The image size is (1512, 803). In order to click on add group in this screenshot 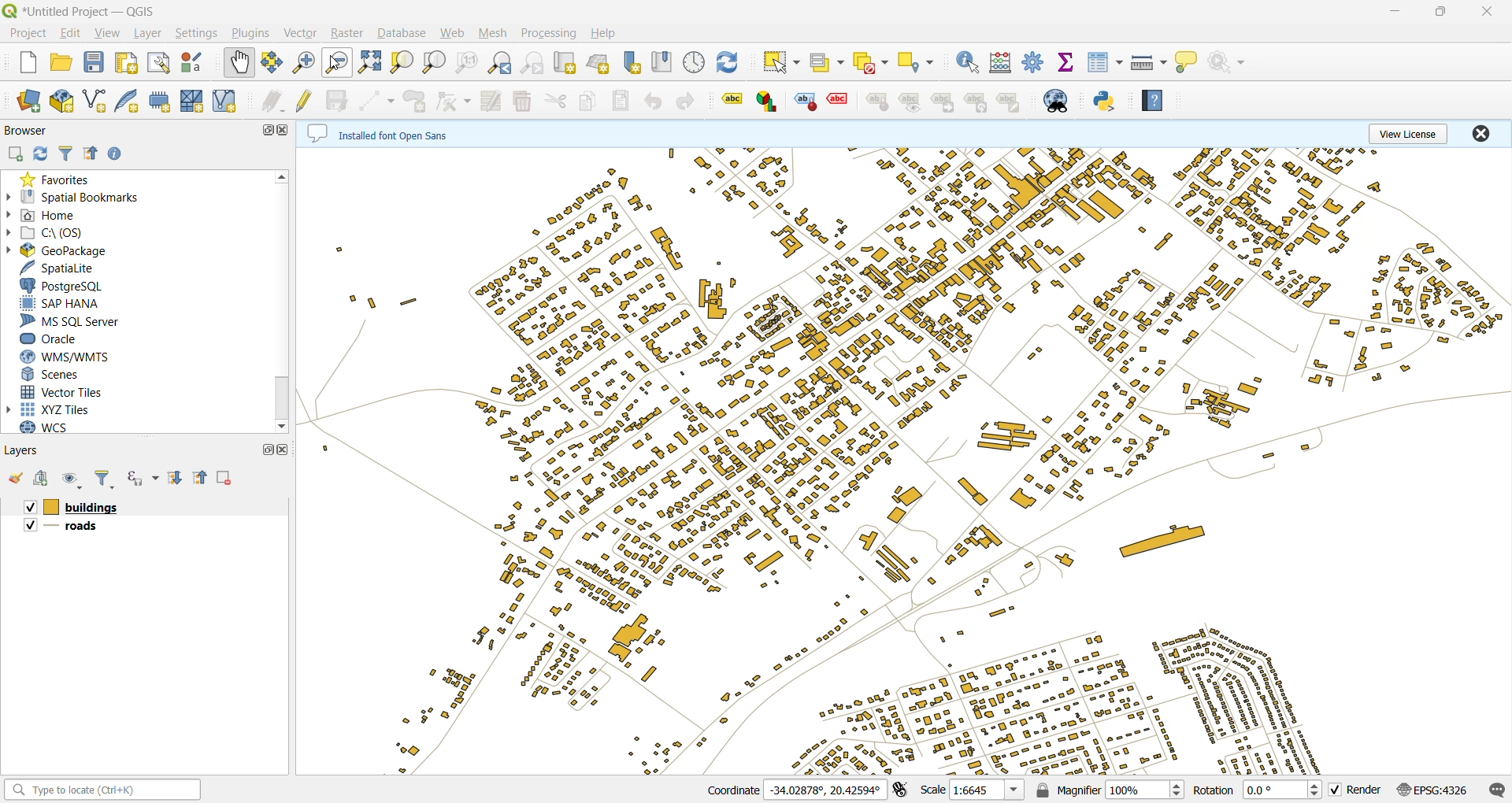, I will do `click(43, 478)`.